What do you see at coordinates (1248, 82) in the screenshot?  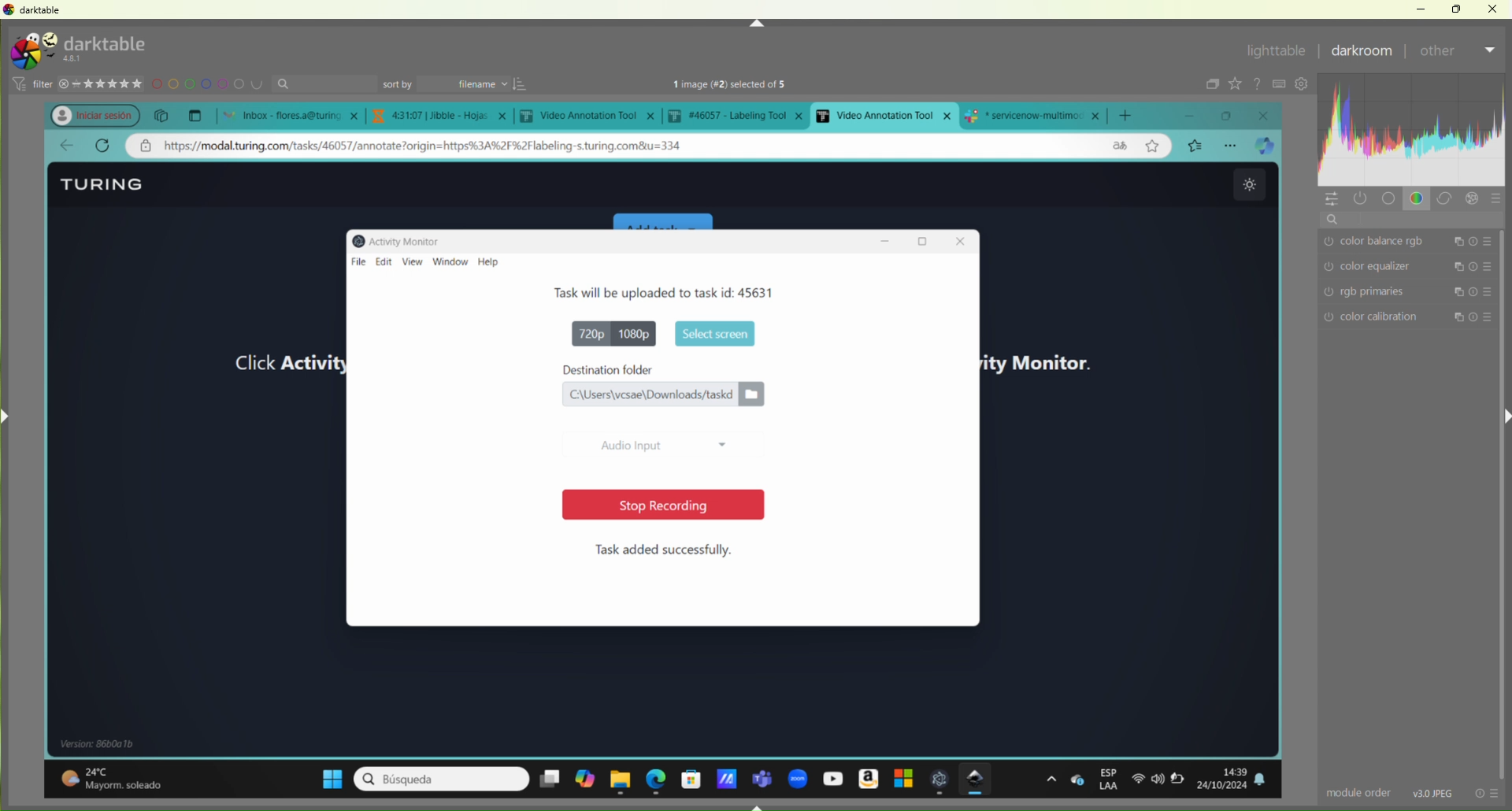 I see `` at bounding box center [1248, 82].